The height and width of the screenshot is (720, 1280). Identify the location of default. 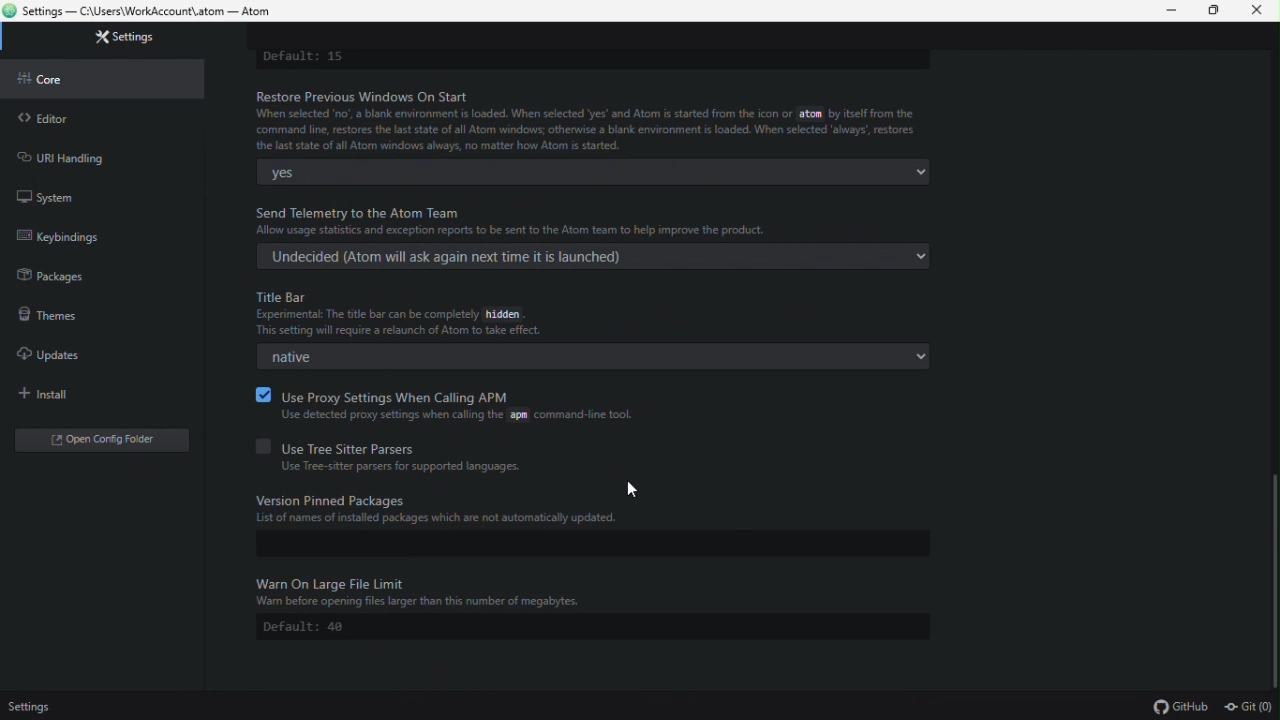
(593, 627).